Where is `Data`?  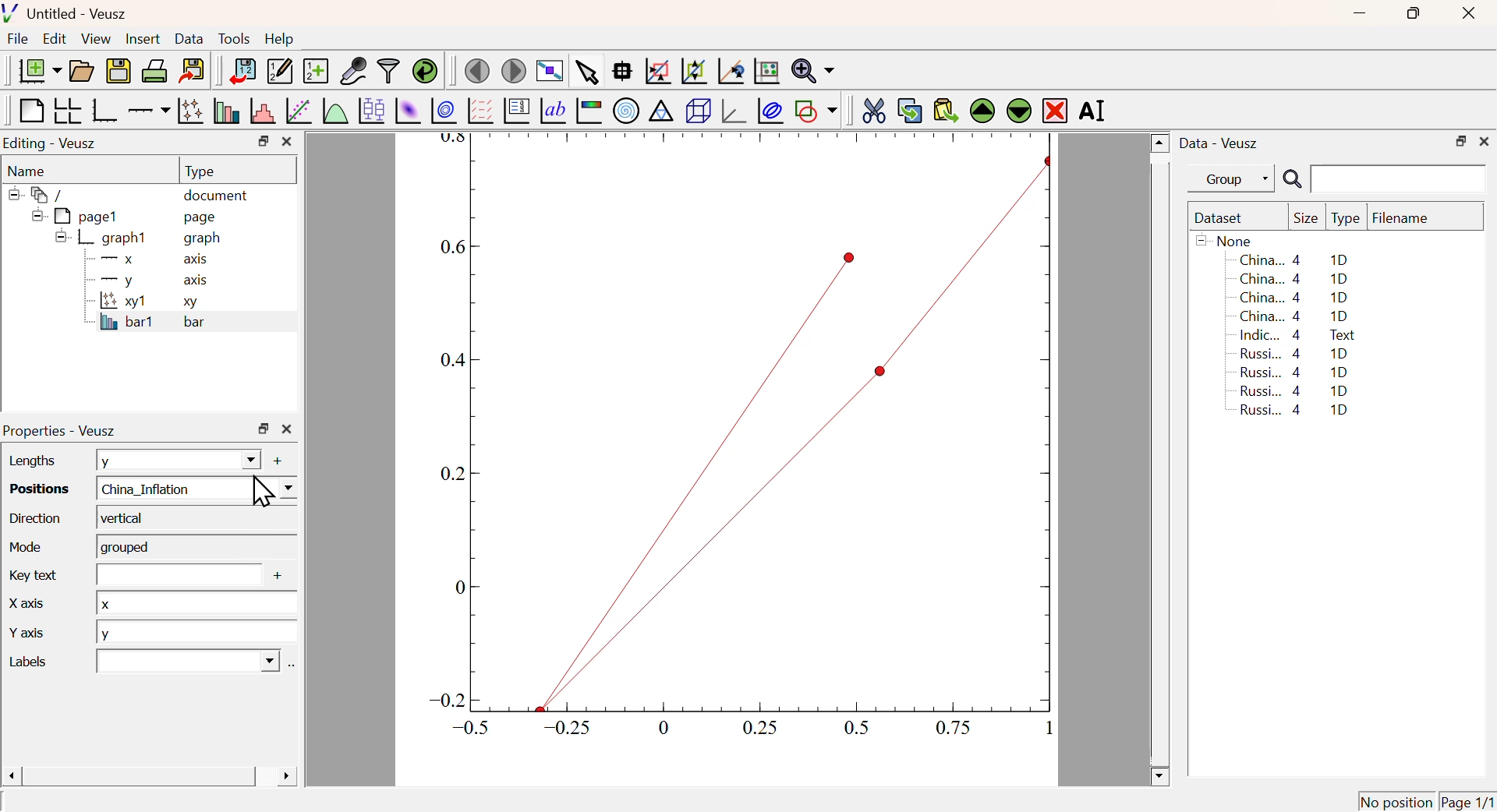
Data is located at coordinates (189, 38).